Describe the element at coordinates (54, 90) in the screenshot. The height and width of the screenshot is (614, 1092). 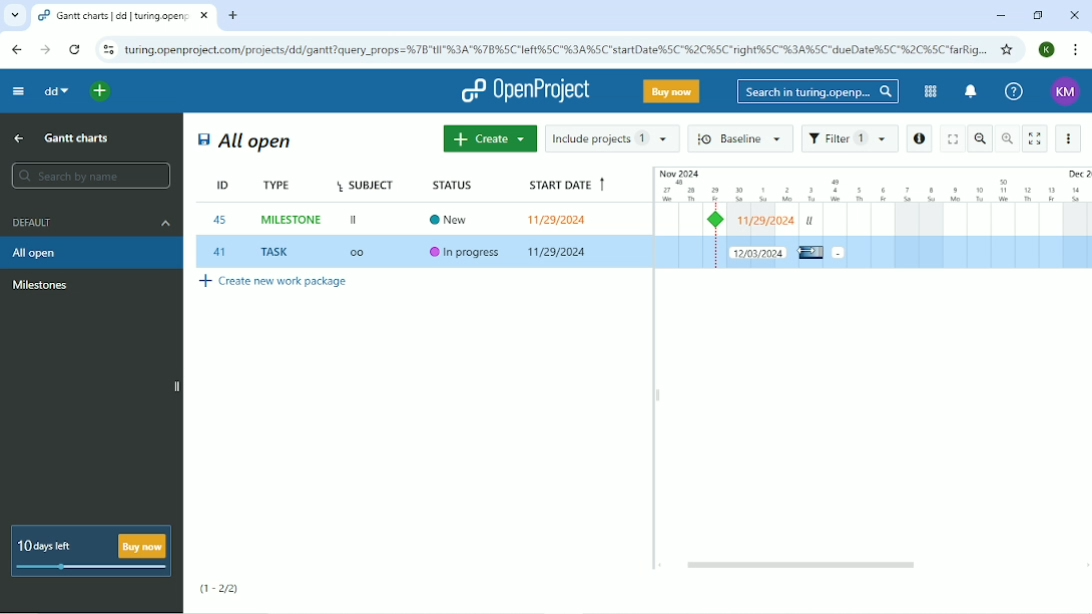
I see `dd` at that location.